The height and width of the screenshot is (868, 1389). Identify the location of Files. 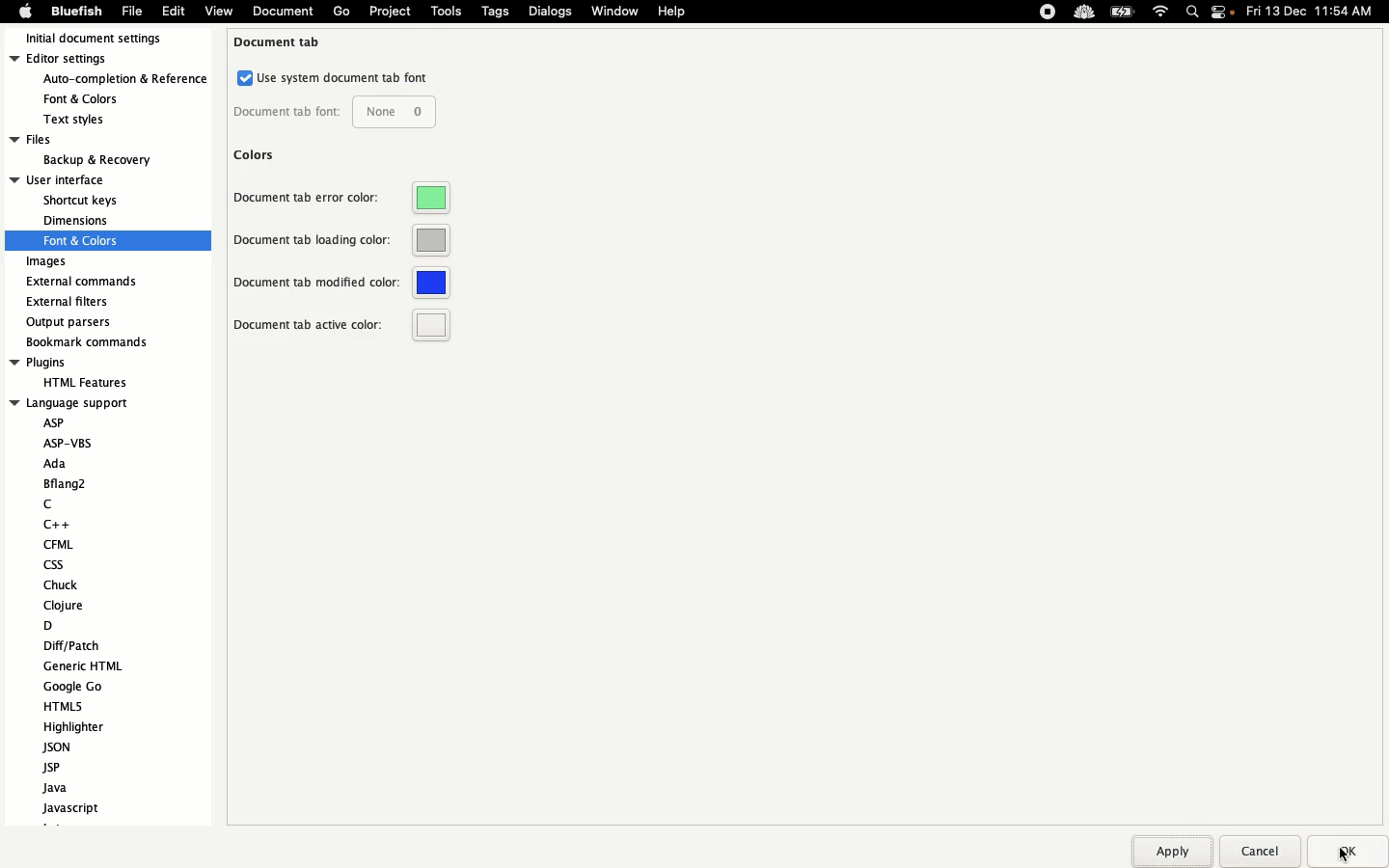
(82, 139).